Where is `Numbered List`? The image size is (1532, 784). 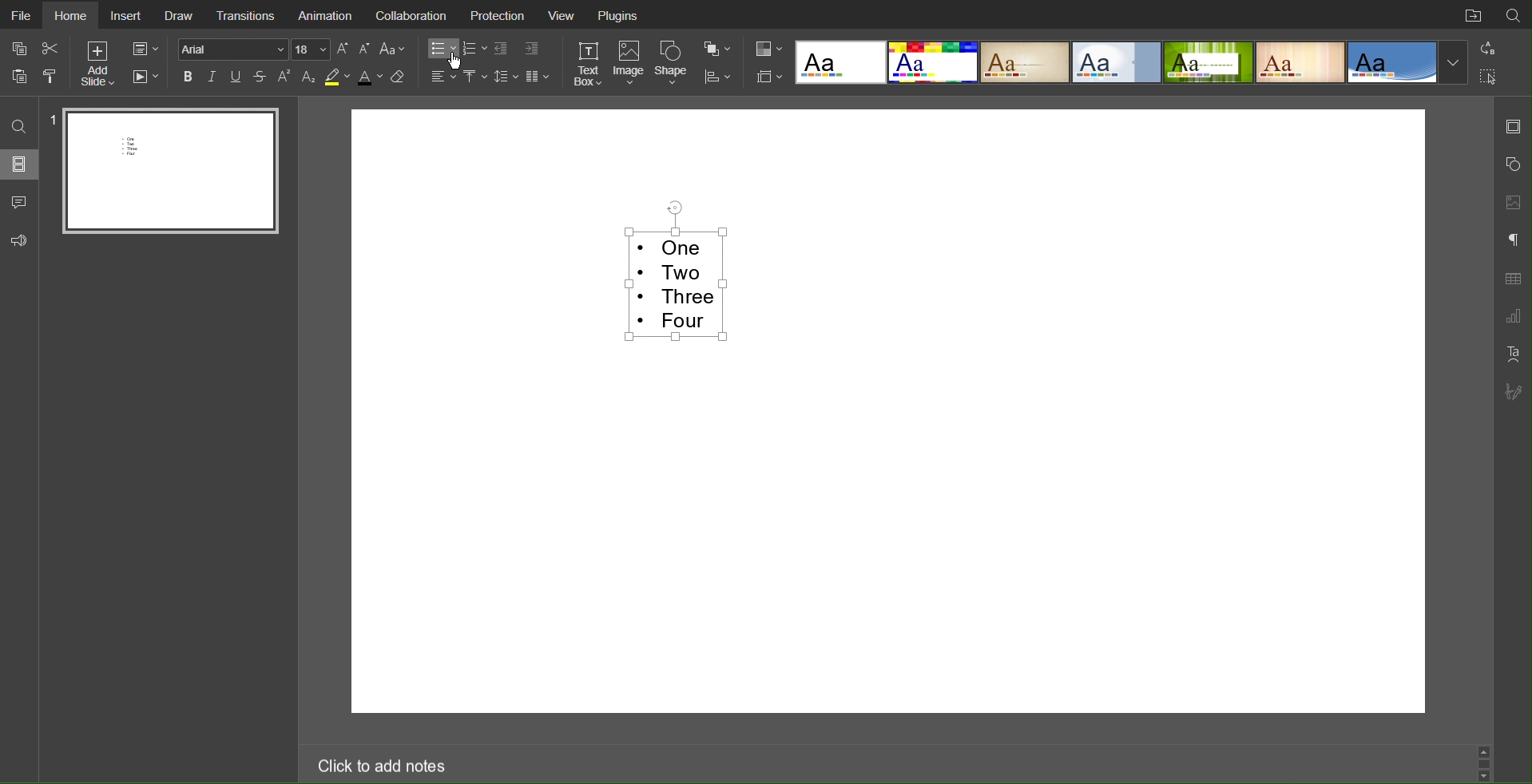
Numbered List is located at coordinates (474, 49).